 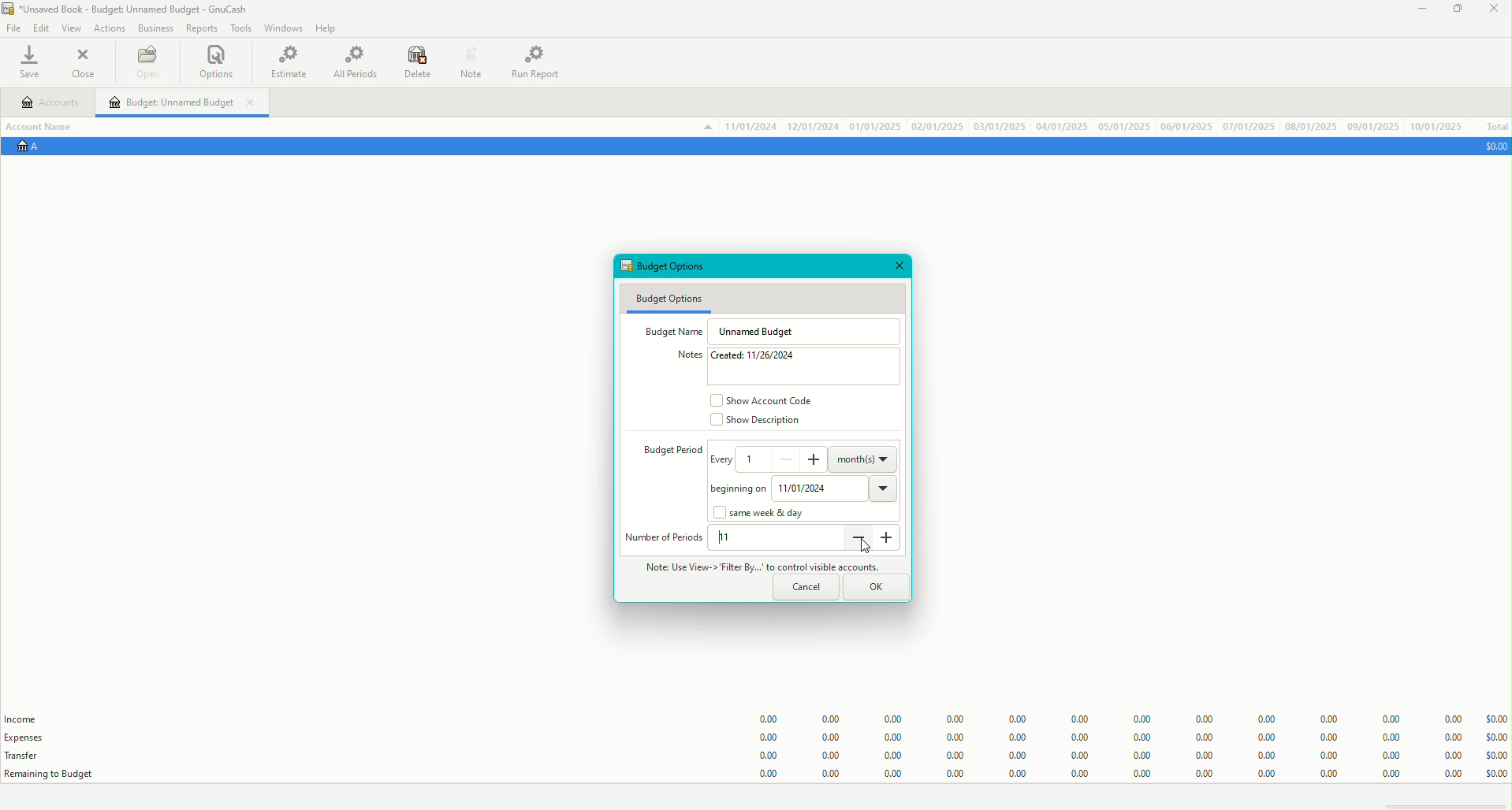 I want to click on Open, so click(x=147, y=65).